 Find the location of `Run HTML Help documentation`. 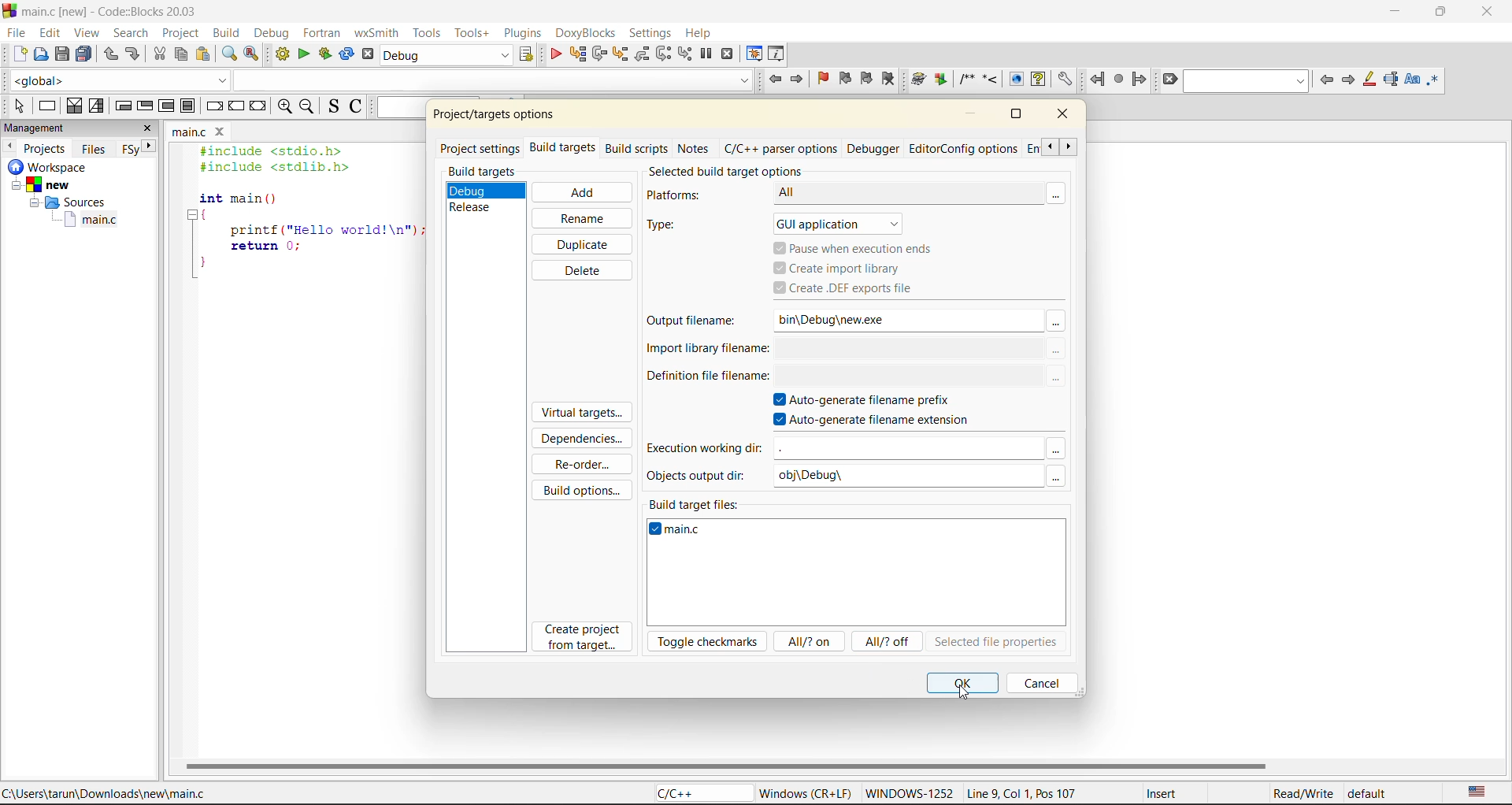

Run HTML Help documentation is located at coordinates (1039, 80).